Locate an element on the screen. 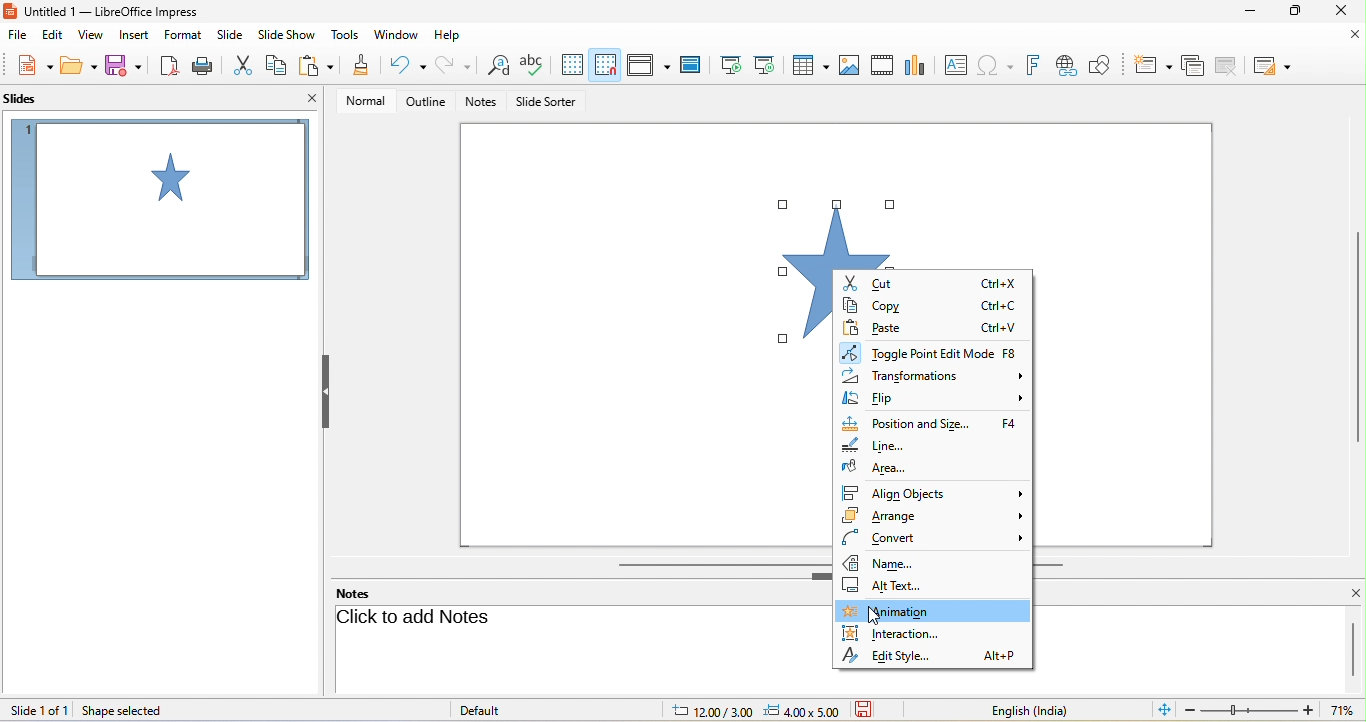  notes is located at coordinates (357, 593).